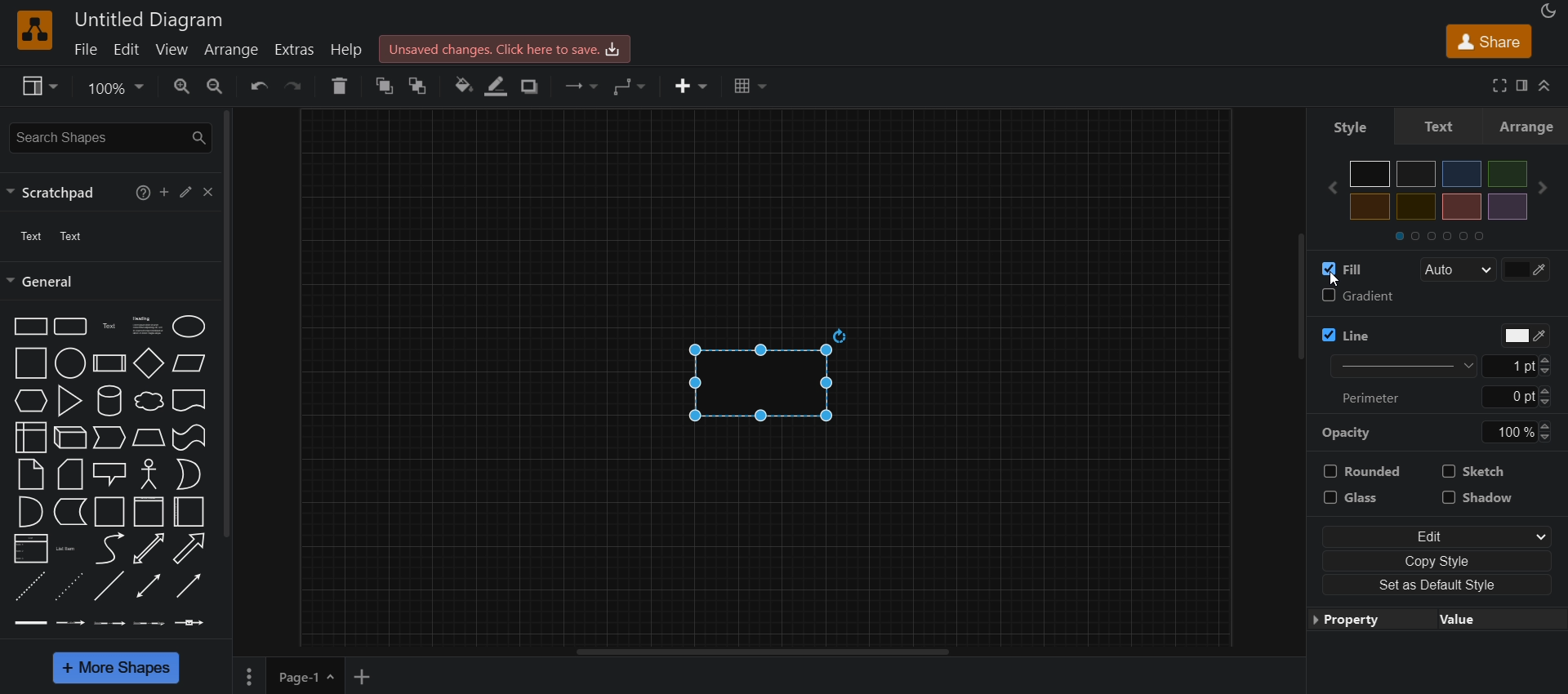  What do you see at coordinates (149, 474) in the screenshot?
I see `actor` at bounding box center [149, 474].